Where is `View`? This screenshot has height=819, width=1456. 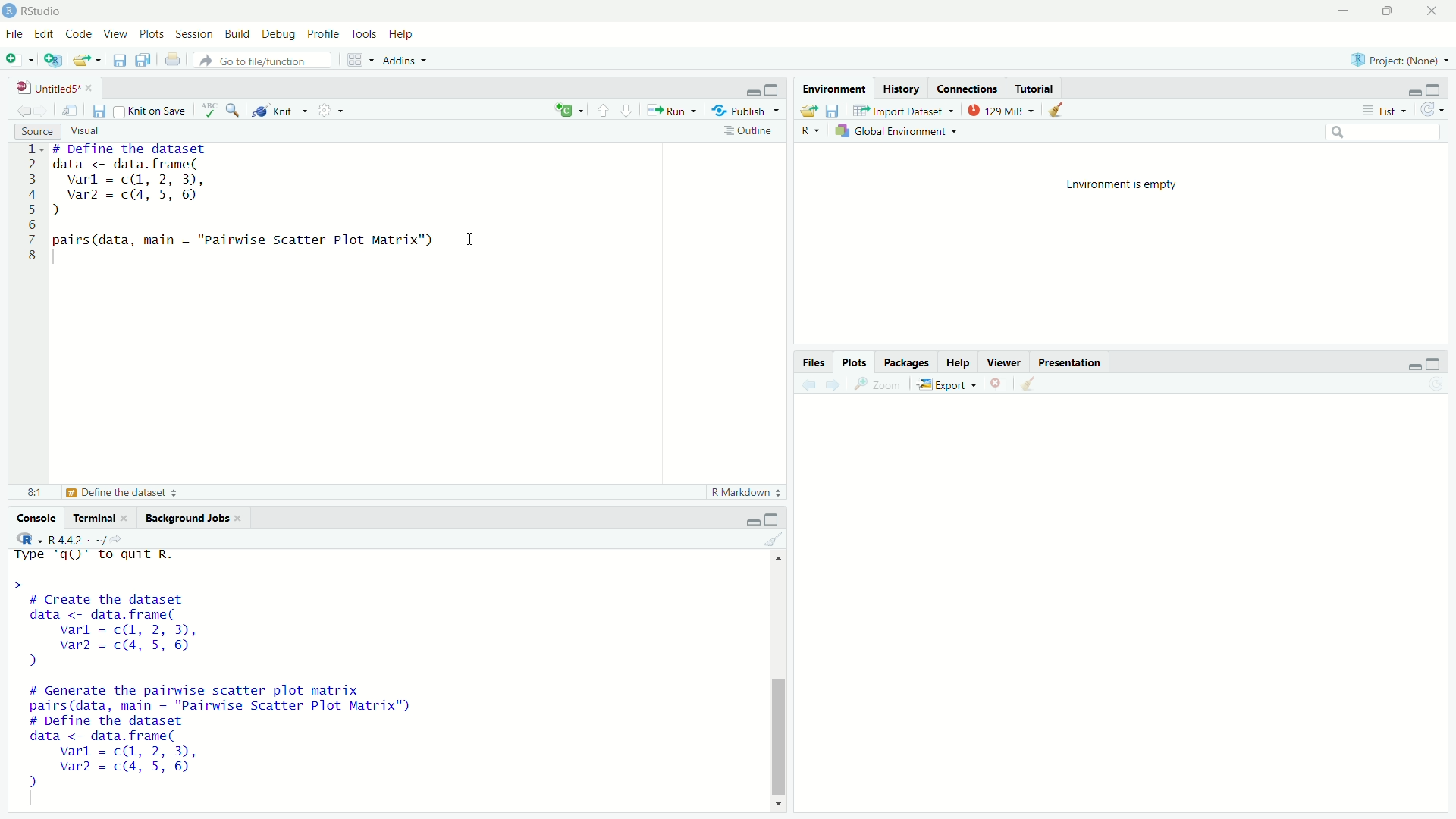 View is located at coordinates (116, 34).